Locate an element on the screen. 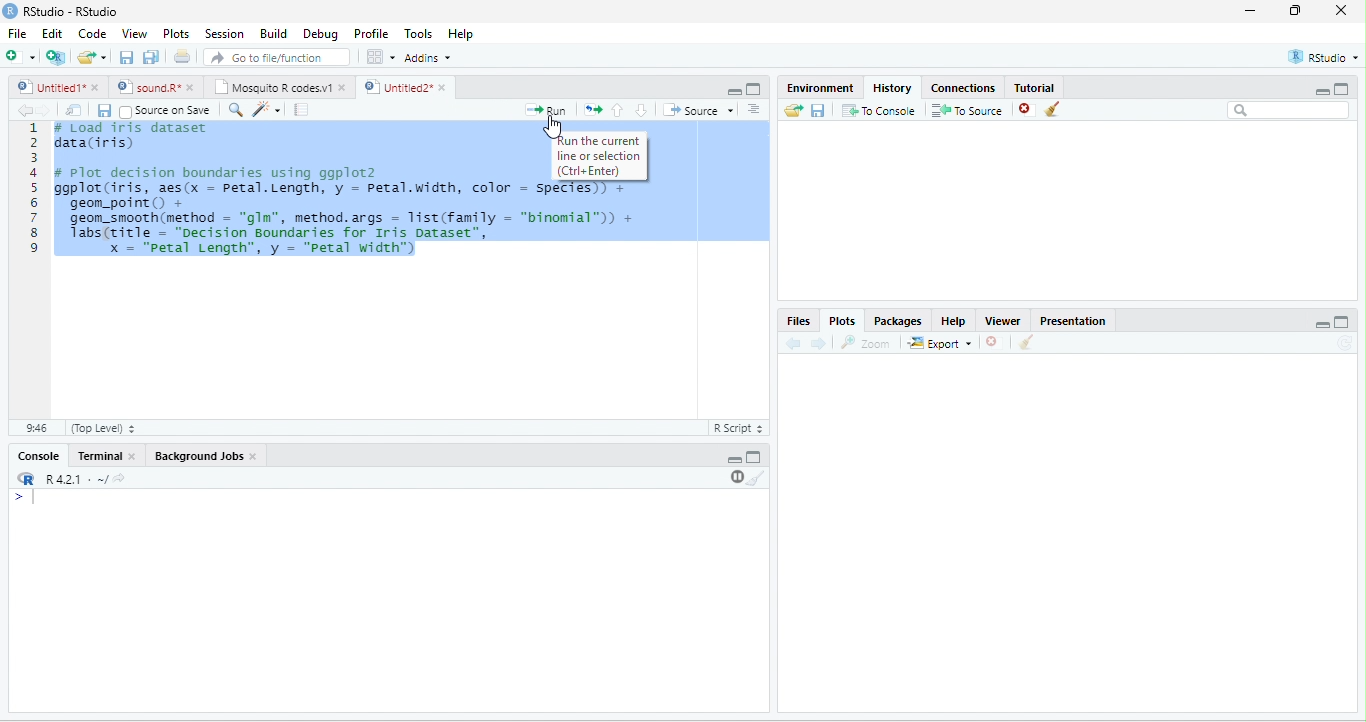 This screenshot has width=1366, height=722. Untitled is located at coordinates (49, 87).